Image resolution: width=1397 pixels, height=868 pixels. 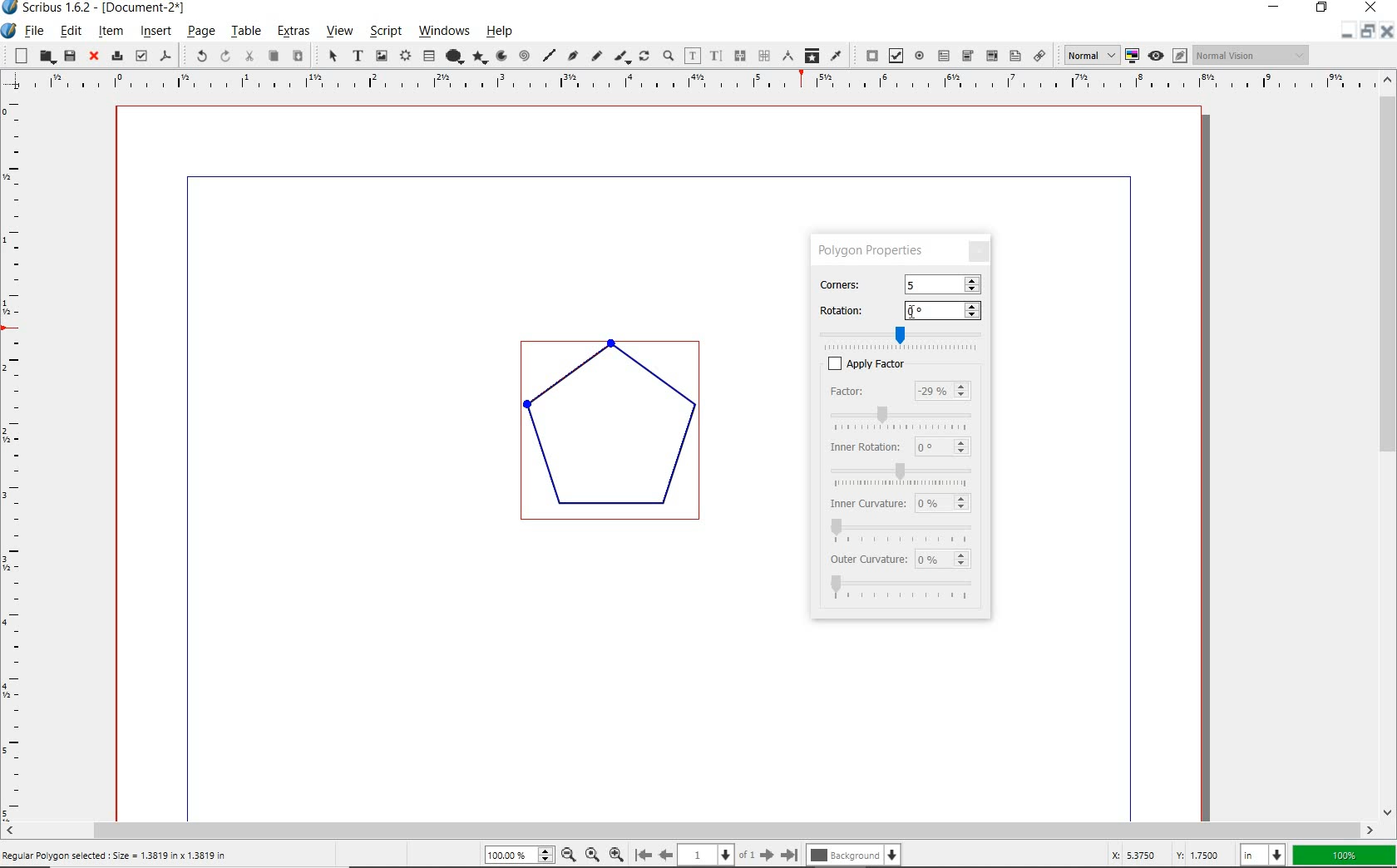 What do you see at coordinates (17, 456) in the screenshot?
I see `ruler` at bounding box center [17, 456].